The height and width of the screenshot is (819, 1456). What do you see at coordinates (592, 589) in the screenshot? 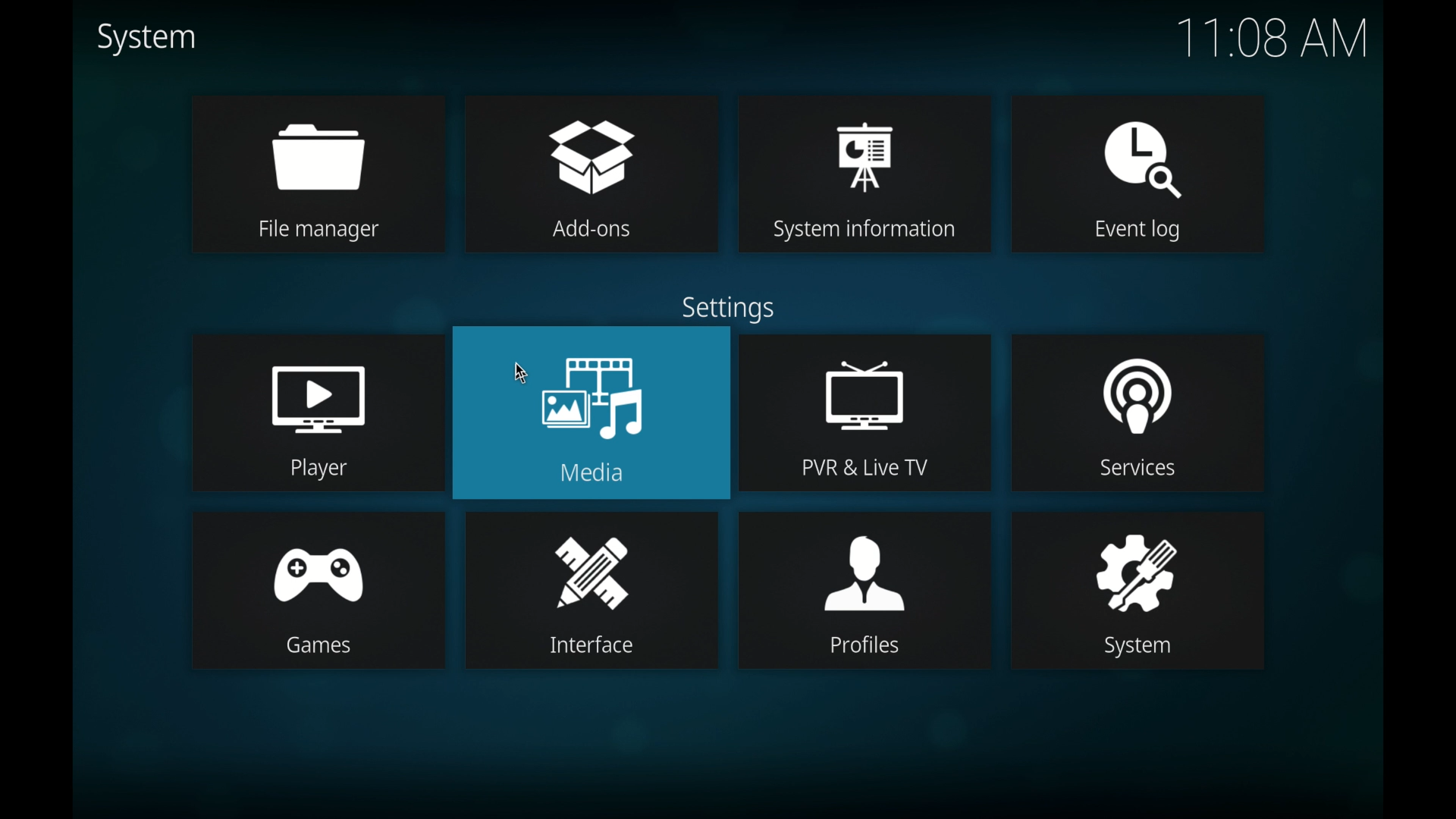
I see `interface` at bounding box center [592, 589].